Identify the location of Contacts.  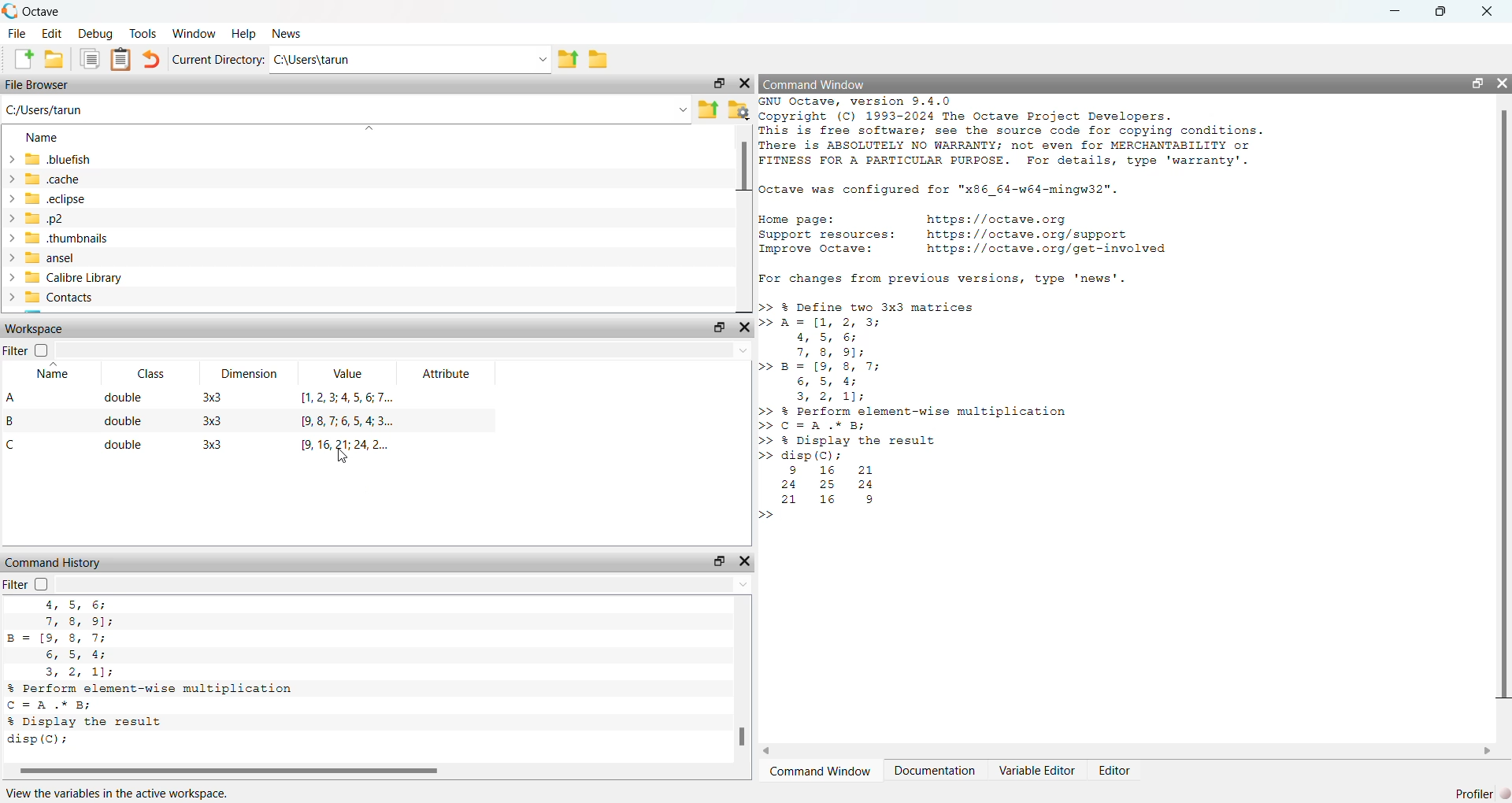
(52, 298).